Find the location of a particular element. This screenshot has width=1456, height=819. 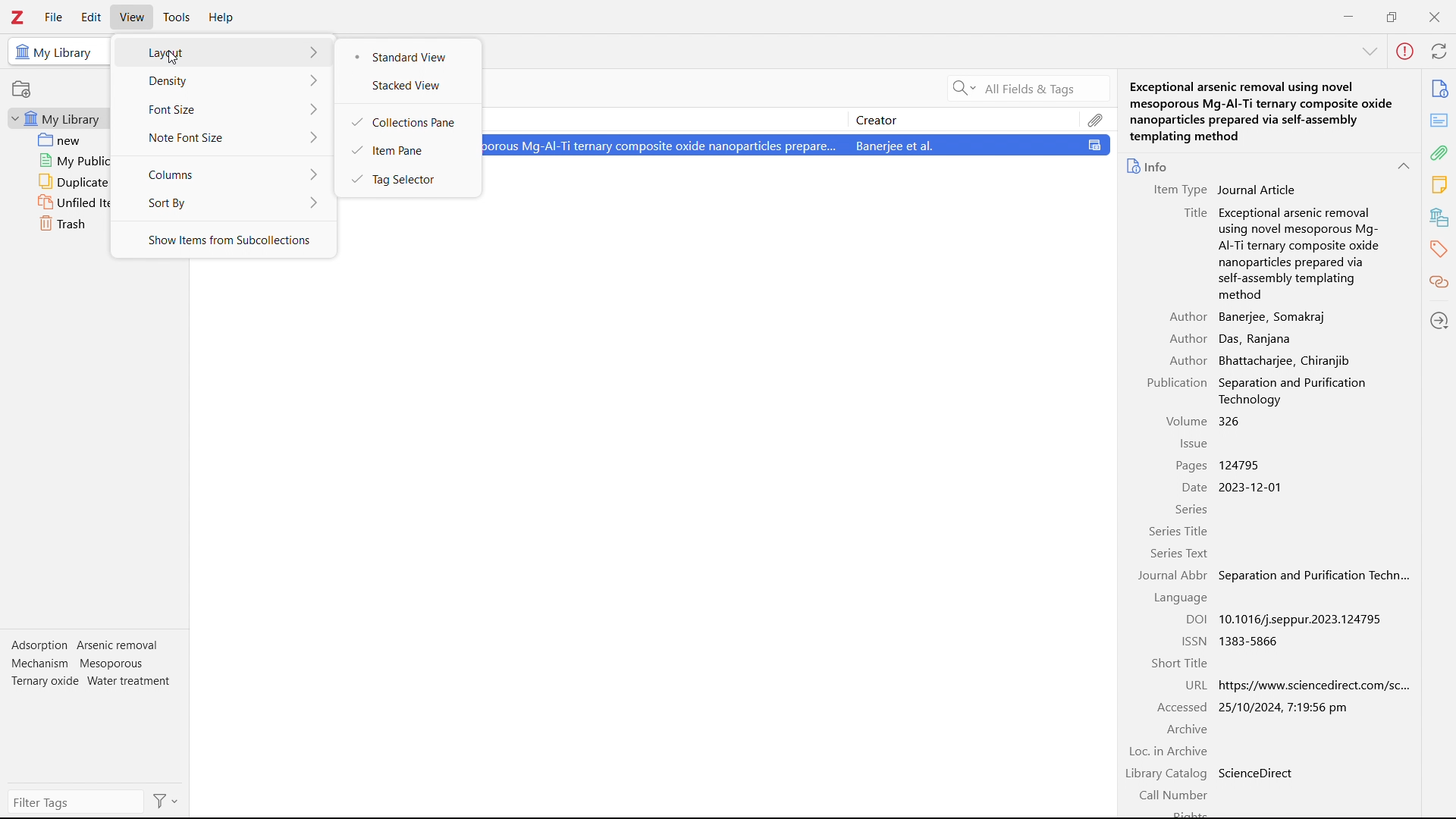

326 is located at coordinates (1231, 420).